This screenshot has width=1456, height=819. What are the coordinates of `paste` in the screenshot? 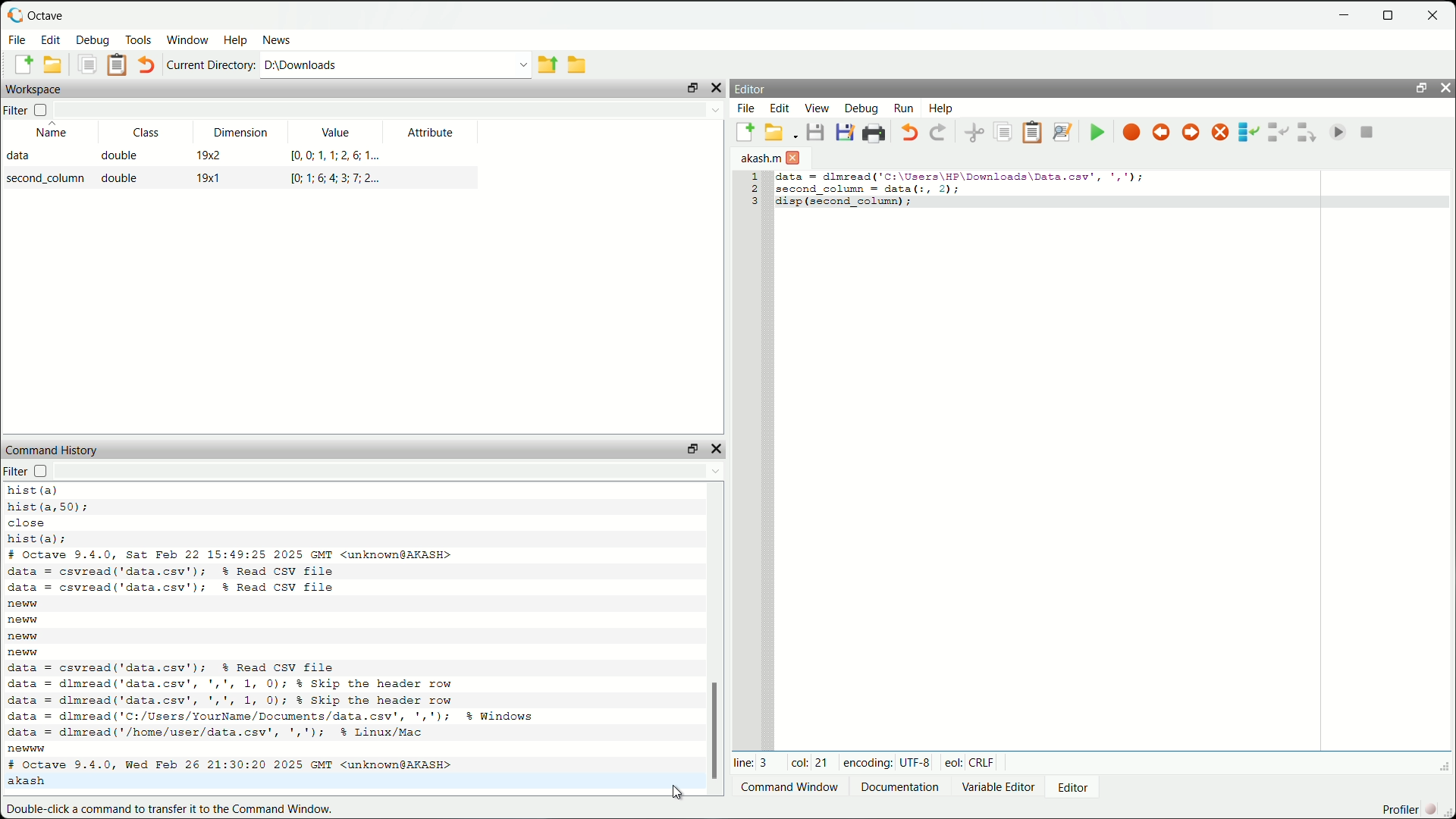 It's located at (118, 67).